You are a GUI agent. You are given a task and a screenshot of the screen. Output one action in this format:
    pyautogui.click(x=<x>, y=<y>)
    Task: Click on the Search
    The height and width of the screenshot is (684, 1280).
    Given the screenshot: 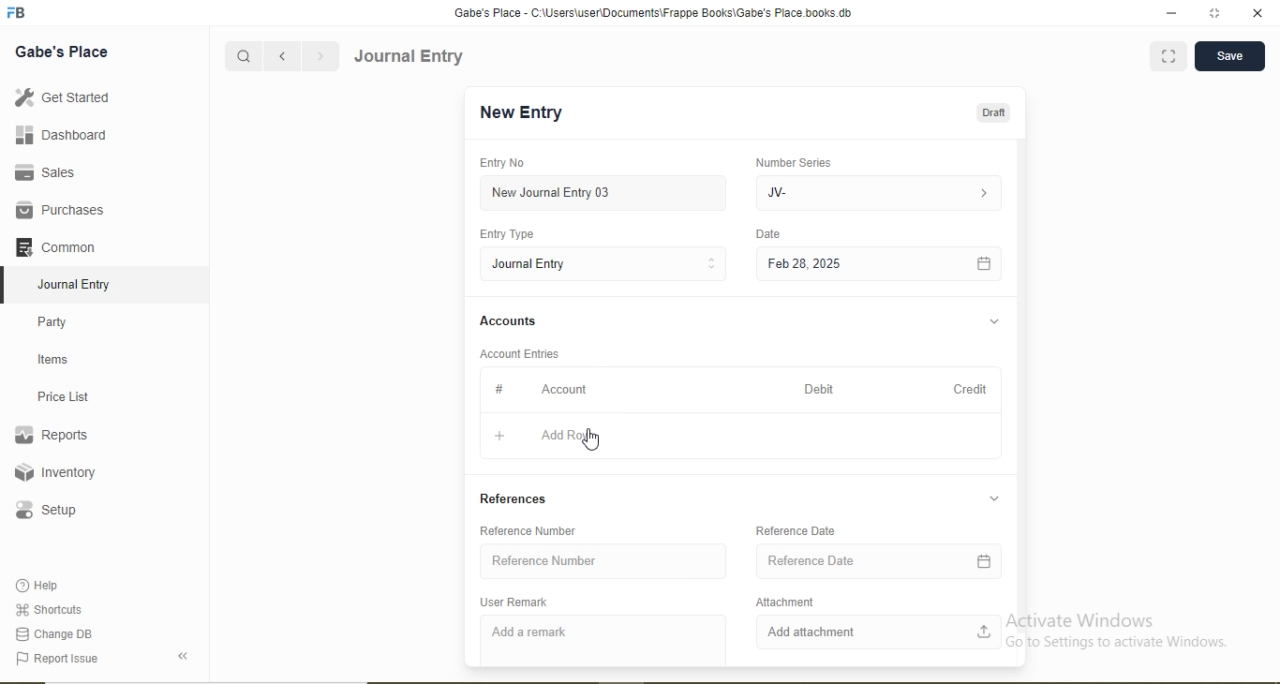 What is the action you would take?
    pyautogui.click(x=242, y=57)
    